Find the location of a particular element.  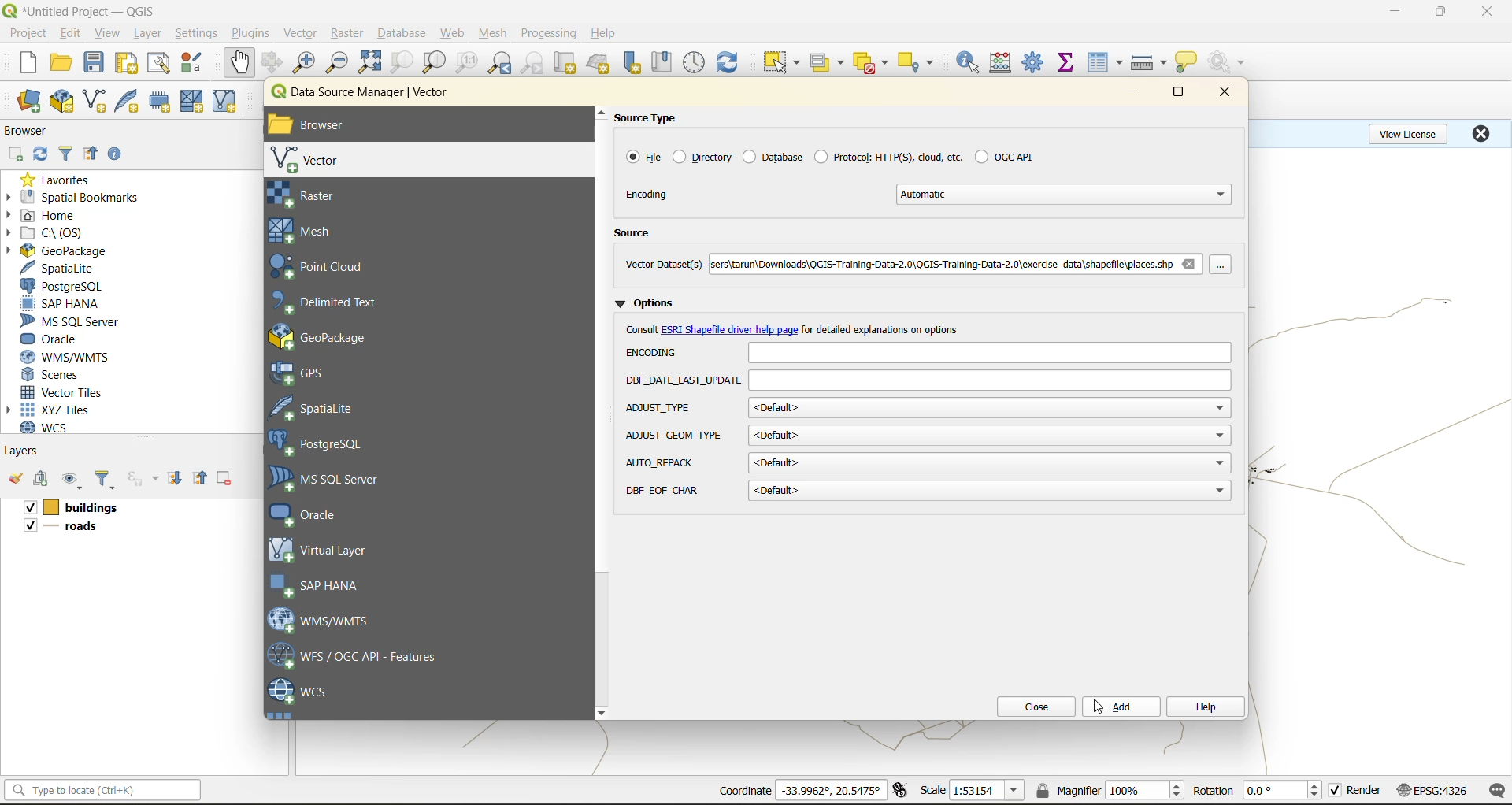

zoom native is located at coordinates (467, 63).